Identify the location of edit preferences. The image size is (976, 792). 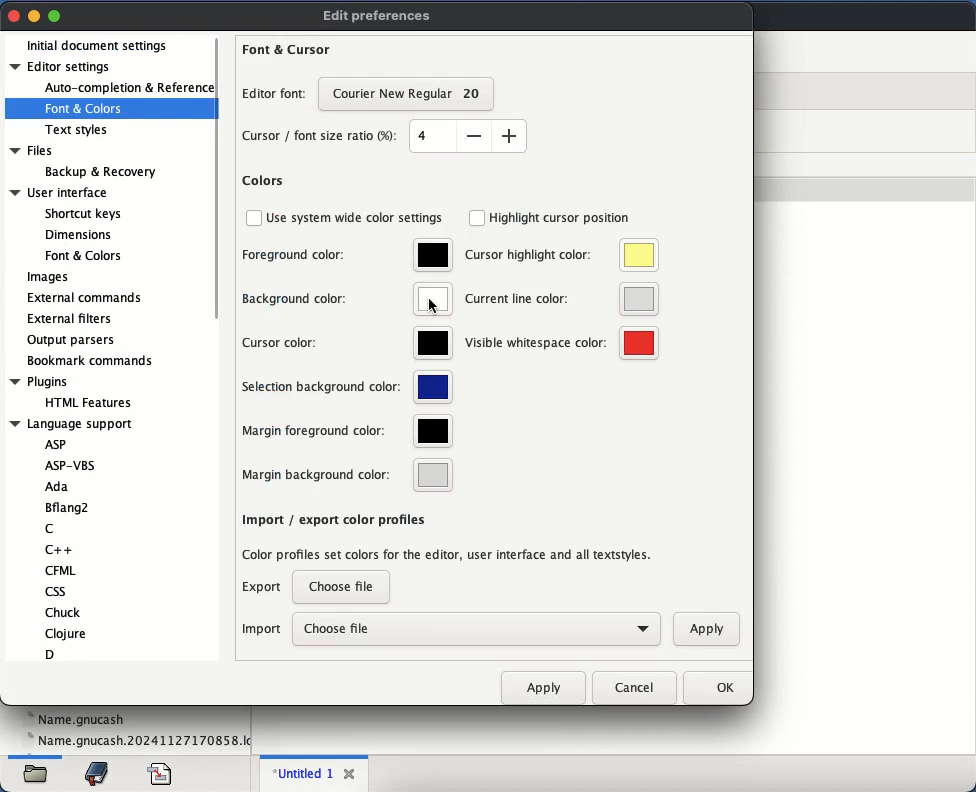
(381, 14).